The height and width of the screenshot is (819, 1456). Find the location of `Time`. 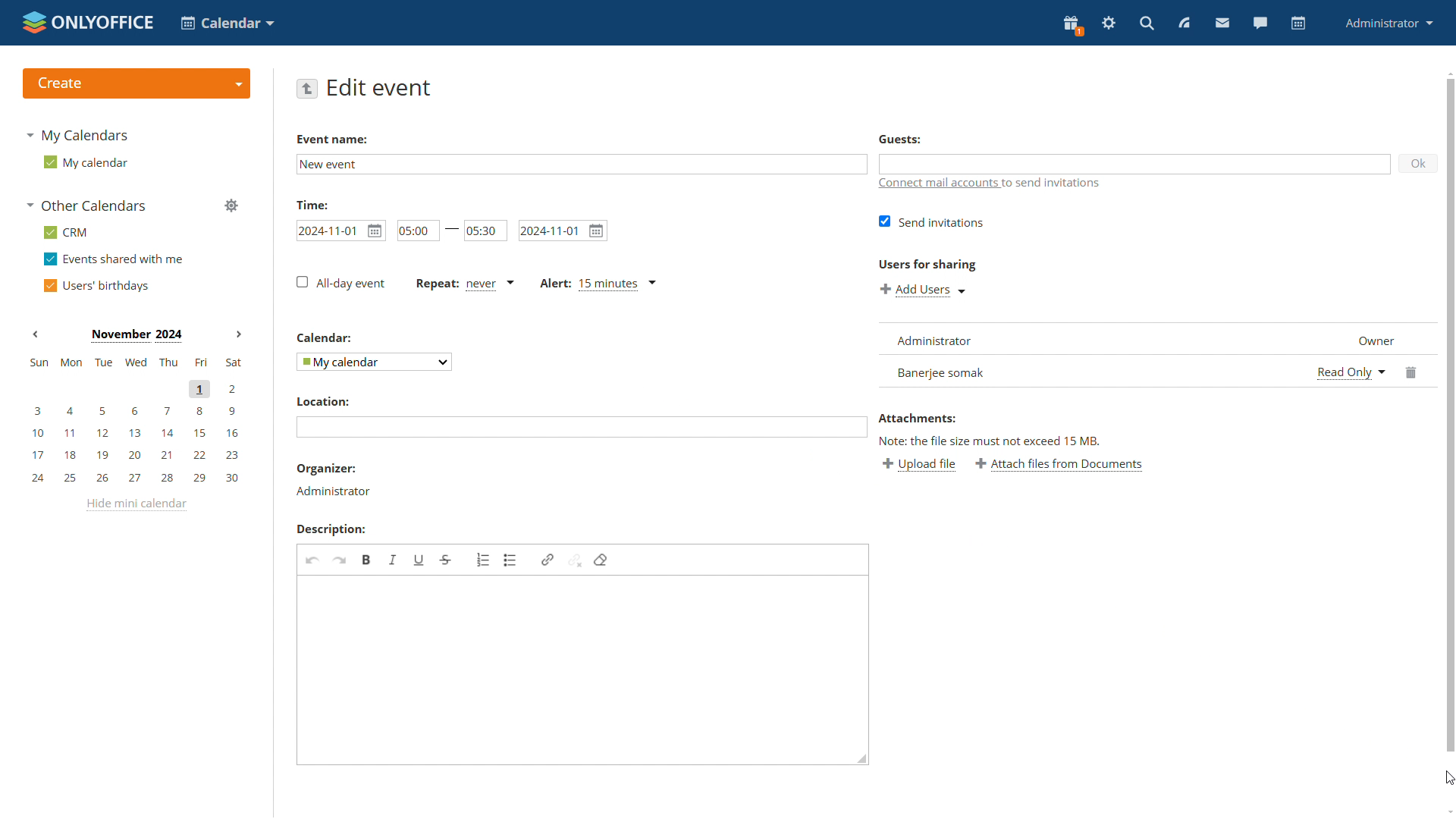

Time is located at coordinates (313, 204).